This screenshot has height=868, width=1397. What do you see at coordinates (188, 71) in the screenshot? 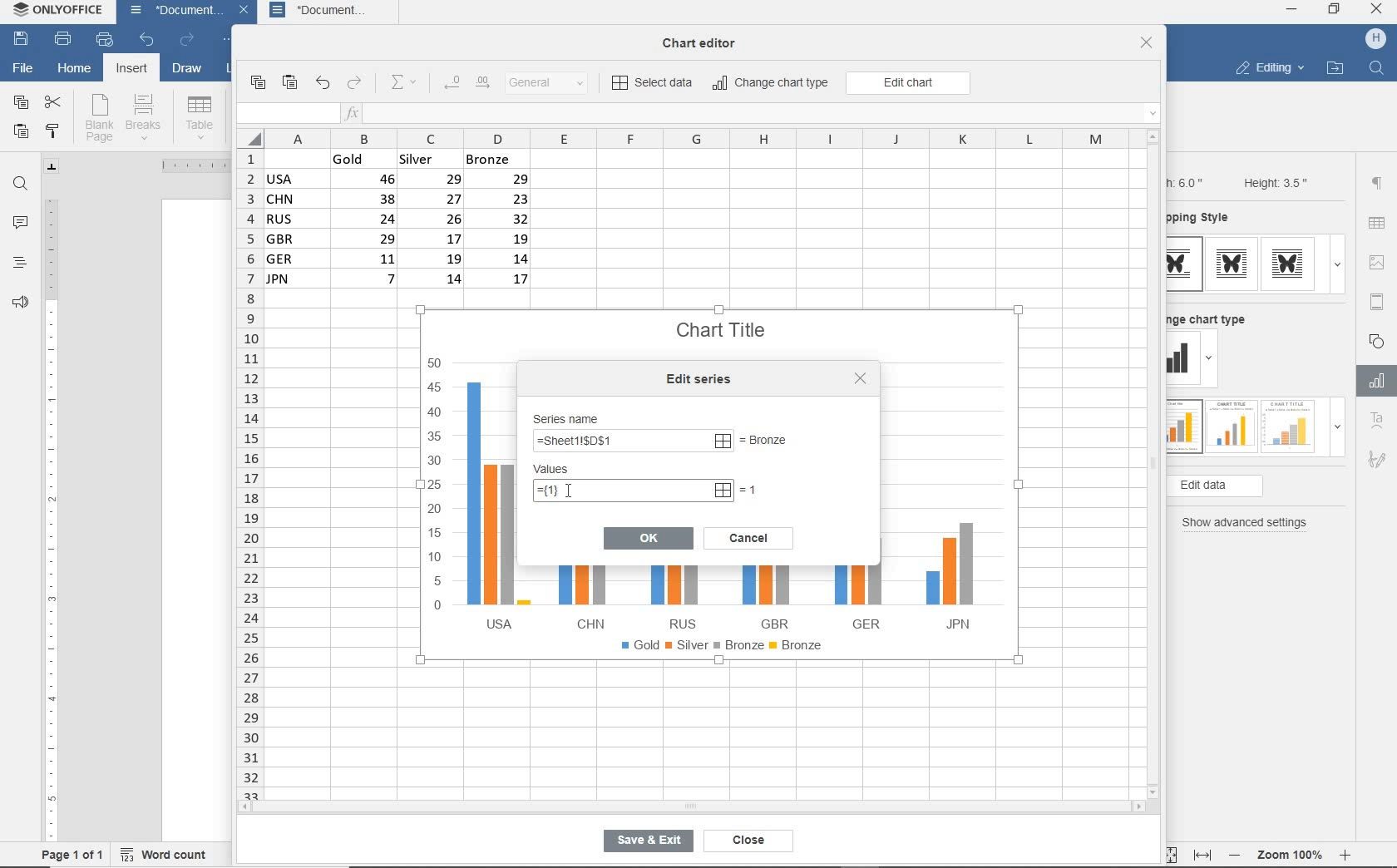
I see `draw` at bounding box center [188, 71].